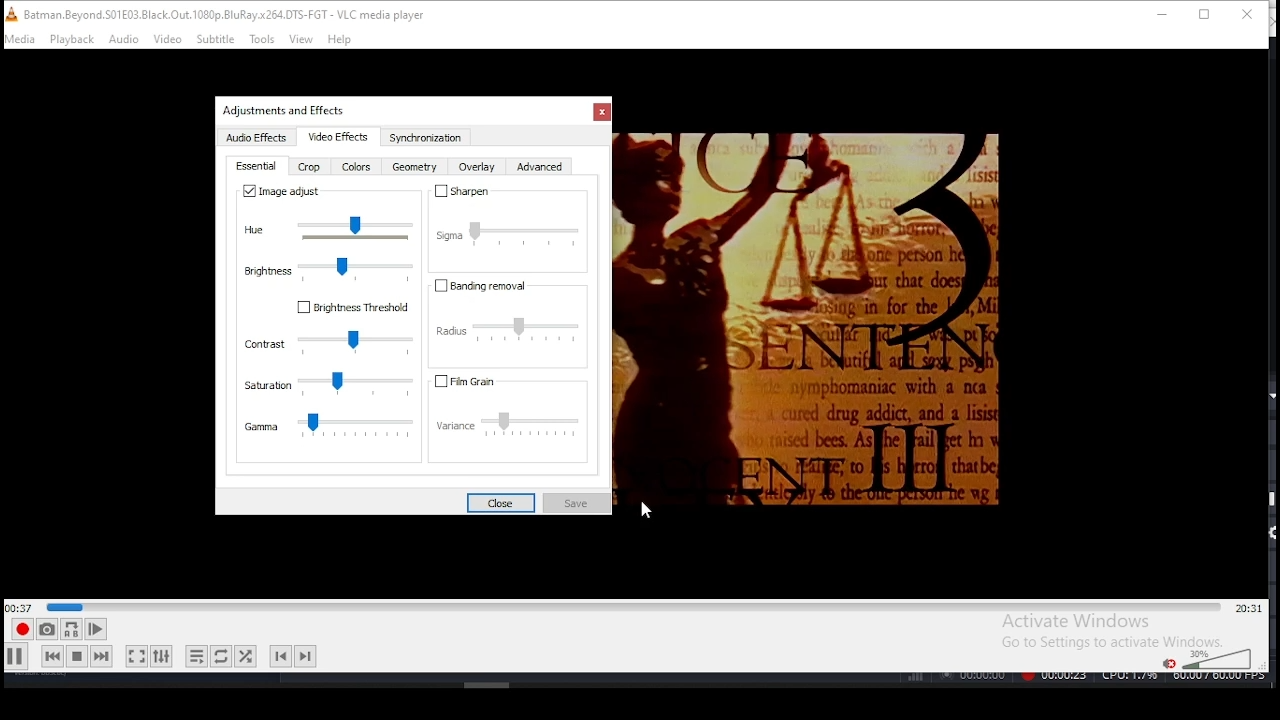 The height and width of the screenshot is (720, 1280). What do you see at coordinates (222, 13) in the screenshot?
I see `icon and filename` at bounding box center [222, 13].